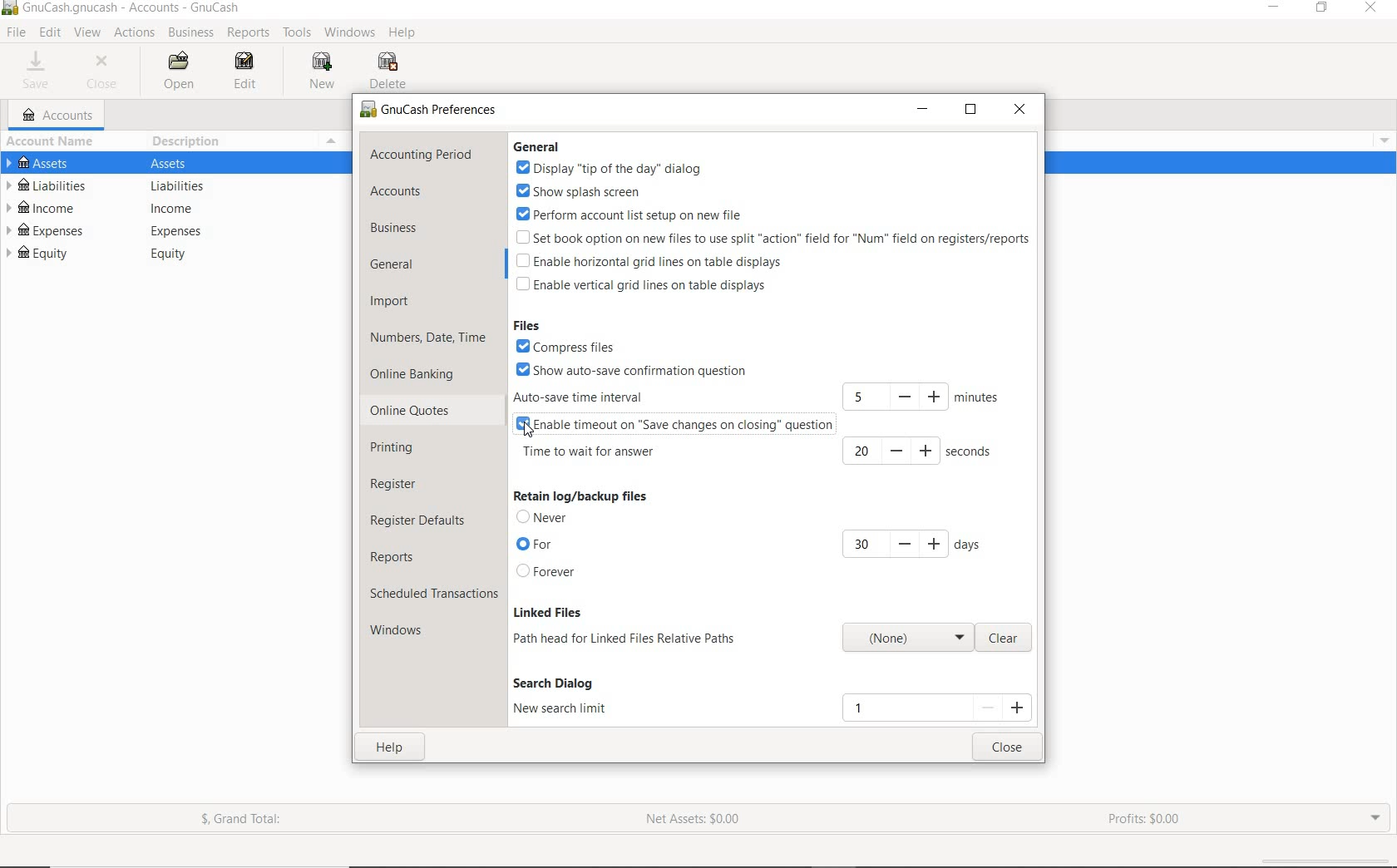  Describe the element at coordinates (529, 326) in the screenshot. I see `files` at that location.